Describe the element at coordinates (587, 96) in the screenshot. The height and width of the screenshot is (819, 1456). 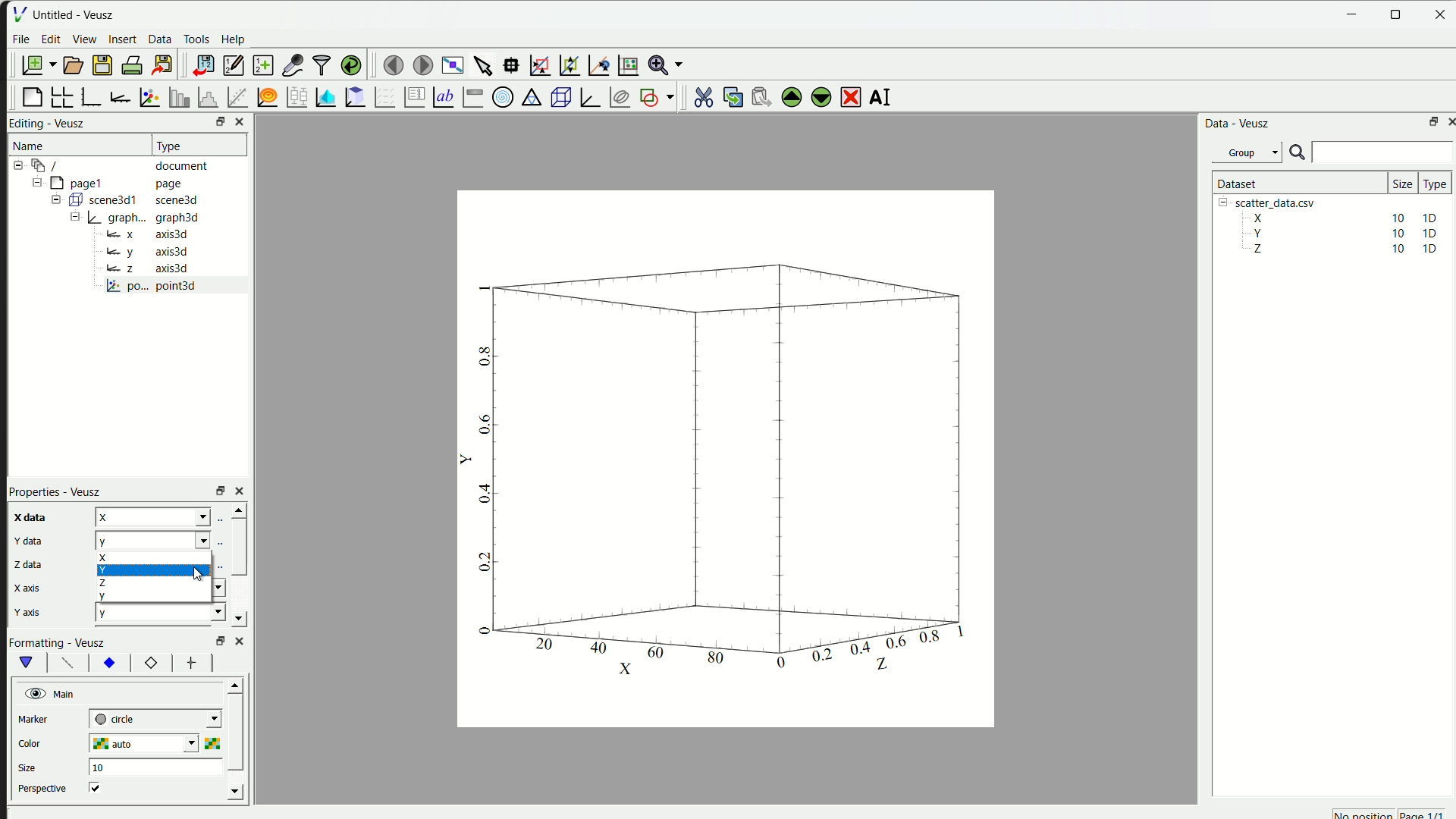
I see `3D Graph` at that location.